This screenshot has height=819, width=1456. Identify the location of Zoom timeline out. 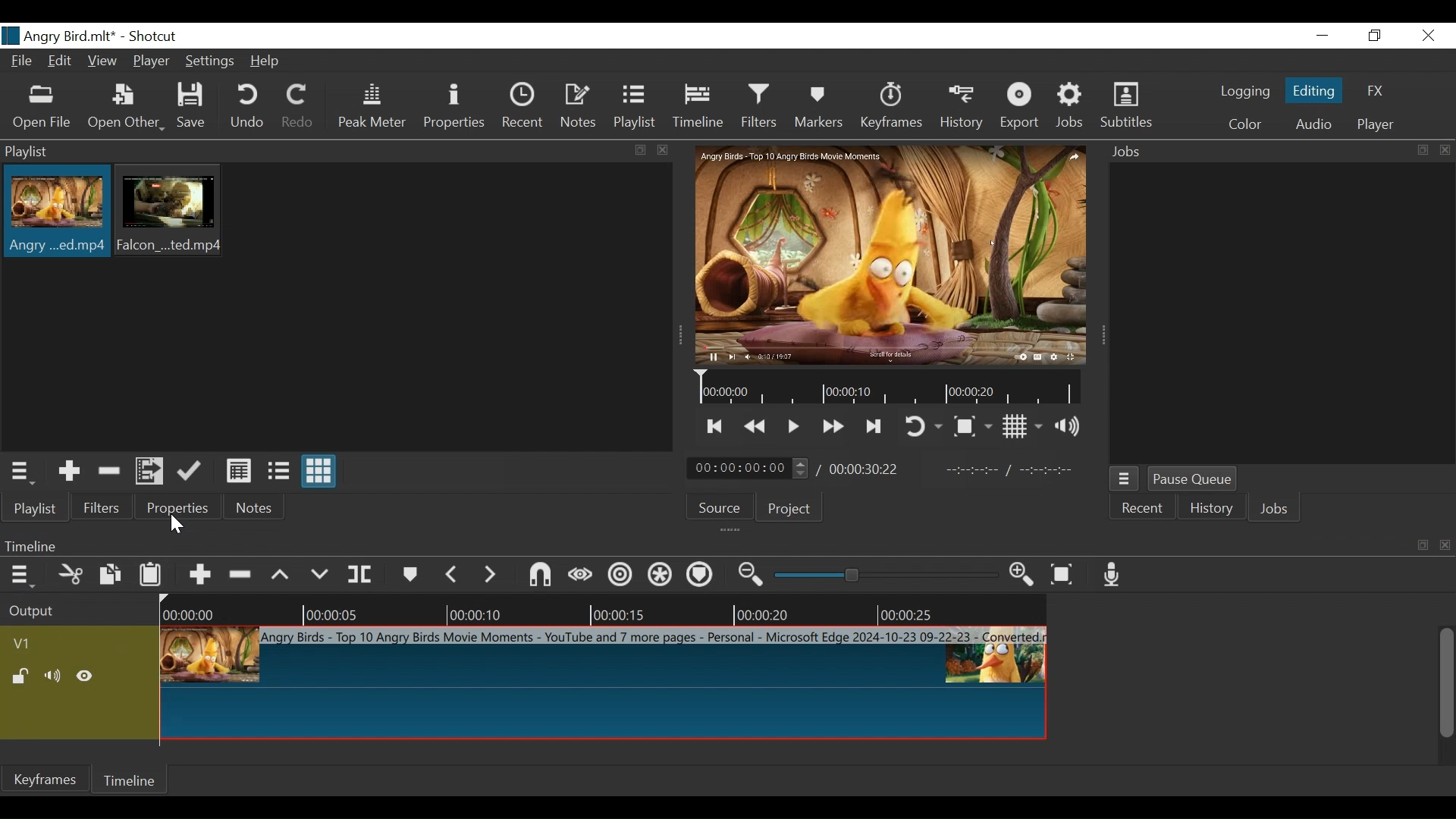
(753, 576).